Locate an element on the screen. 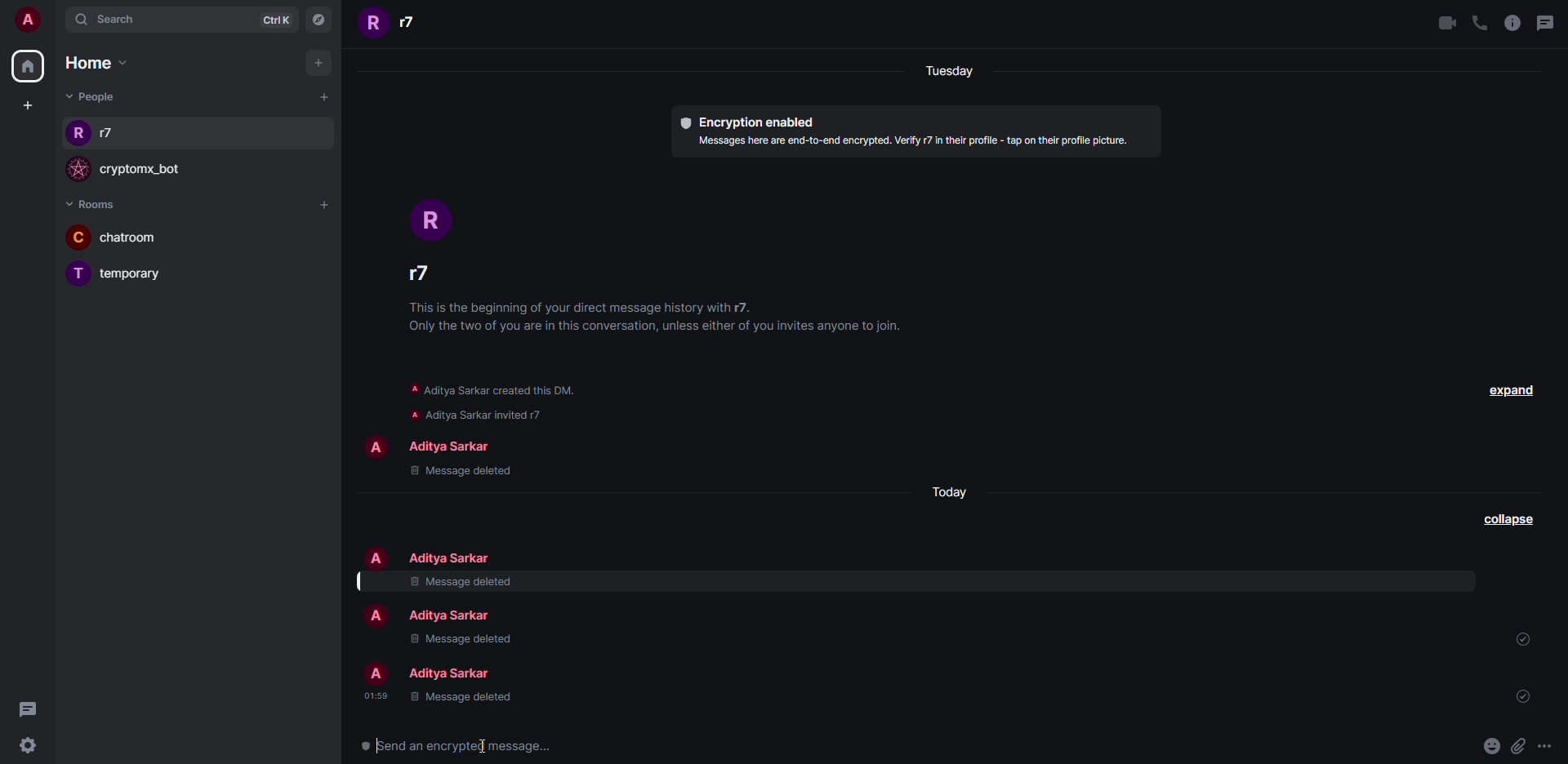 This screenshot has width=1568, height=764. info is located at coordinates (914, 140).